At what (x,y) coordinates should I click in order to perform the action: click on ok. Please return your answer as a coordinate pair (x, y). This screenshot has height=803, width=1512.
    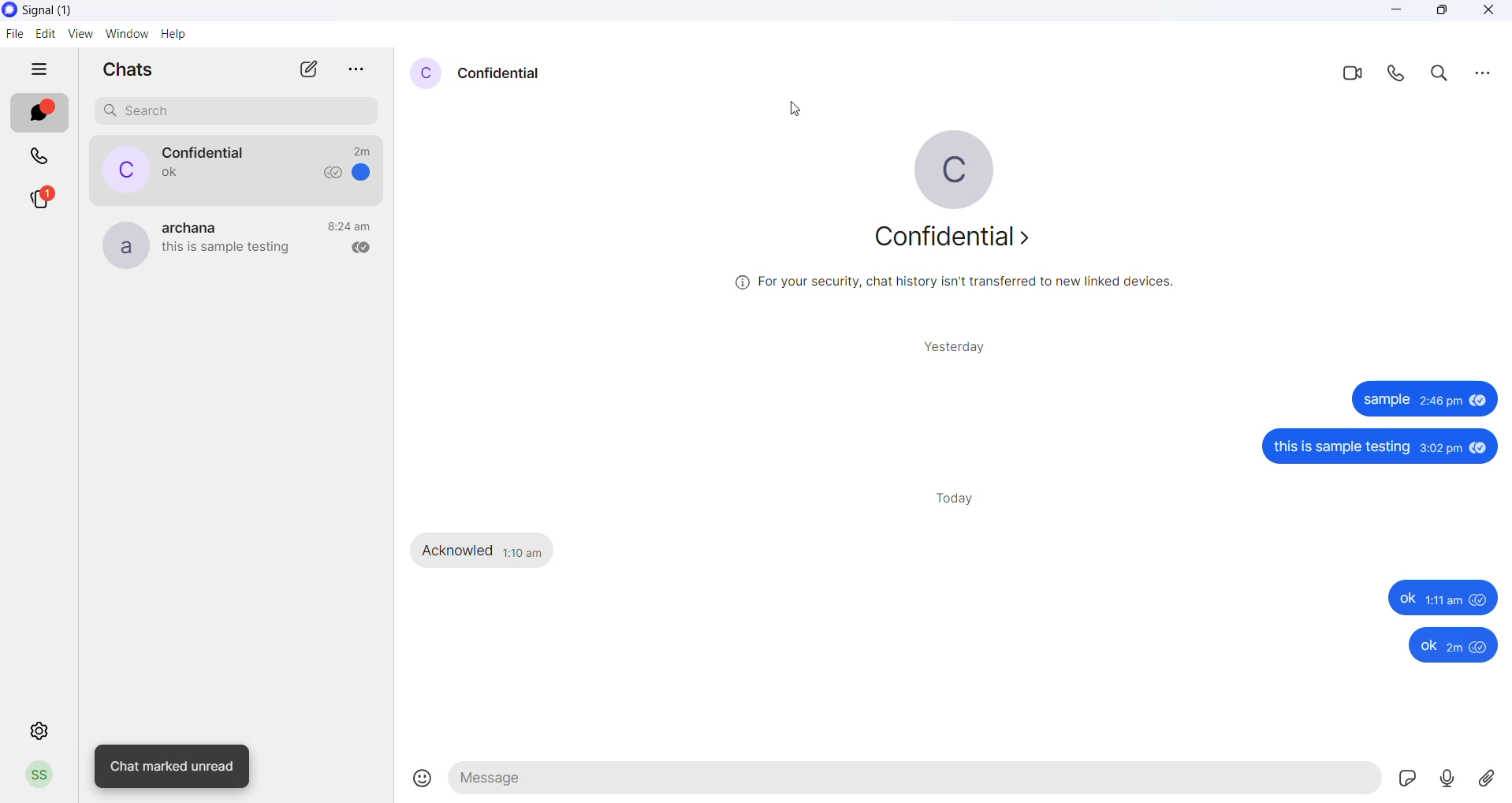
    Looking at the image, I should click on (1443, 644).